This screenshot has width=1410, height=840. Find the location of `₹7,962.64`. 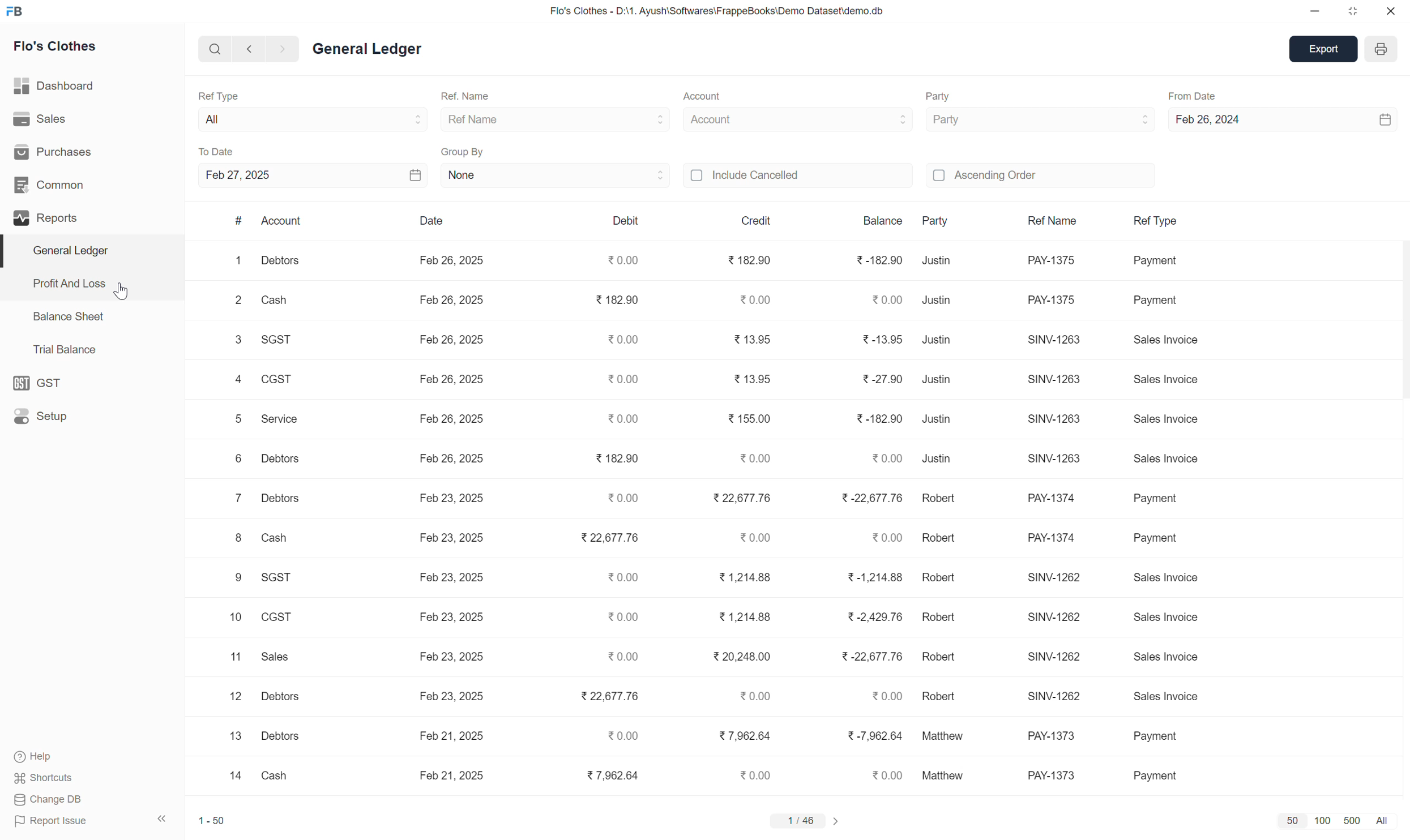

₹7,962.64 is located at coordinates (610, 774).